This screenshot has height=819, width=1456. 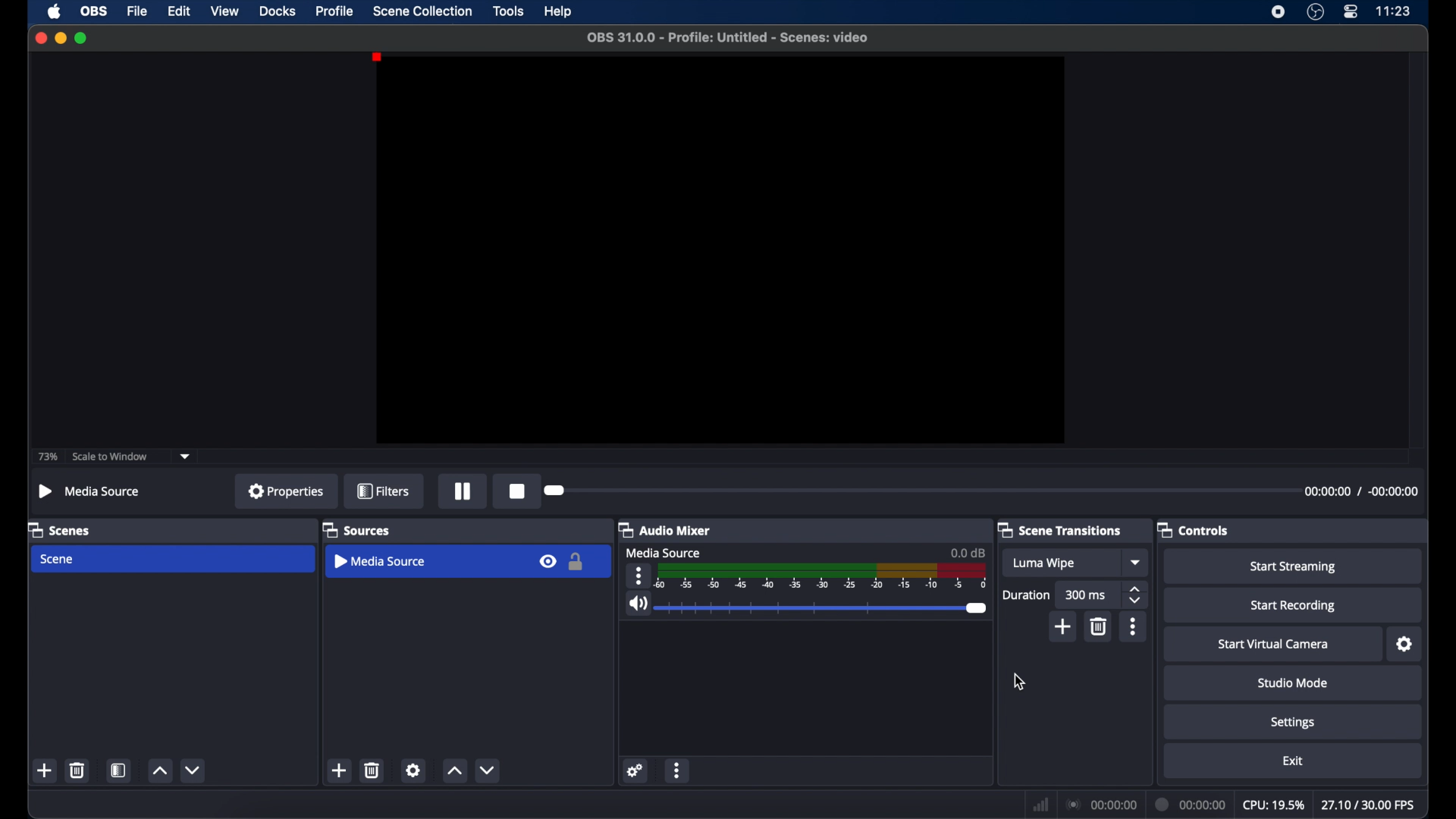 What do you see at coordinates (287, 490) in the screenshot?
I see `properties` at bounding box center [287, 490].